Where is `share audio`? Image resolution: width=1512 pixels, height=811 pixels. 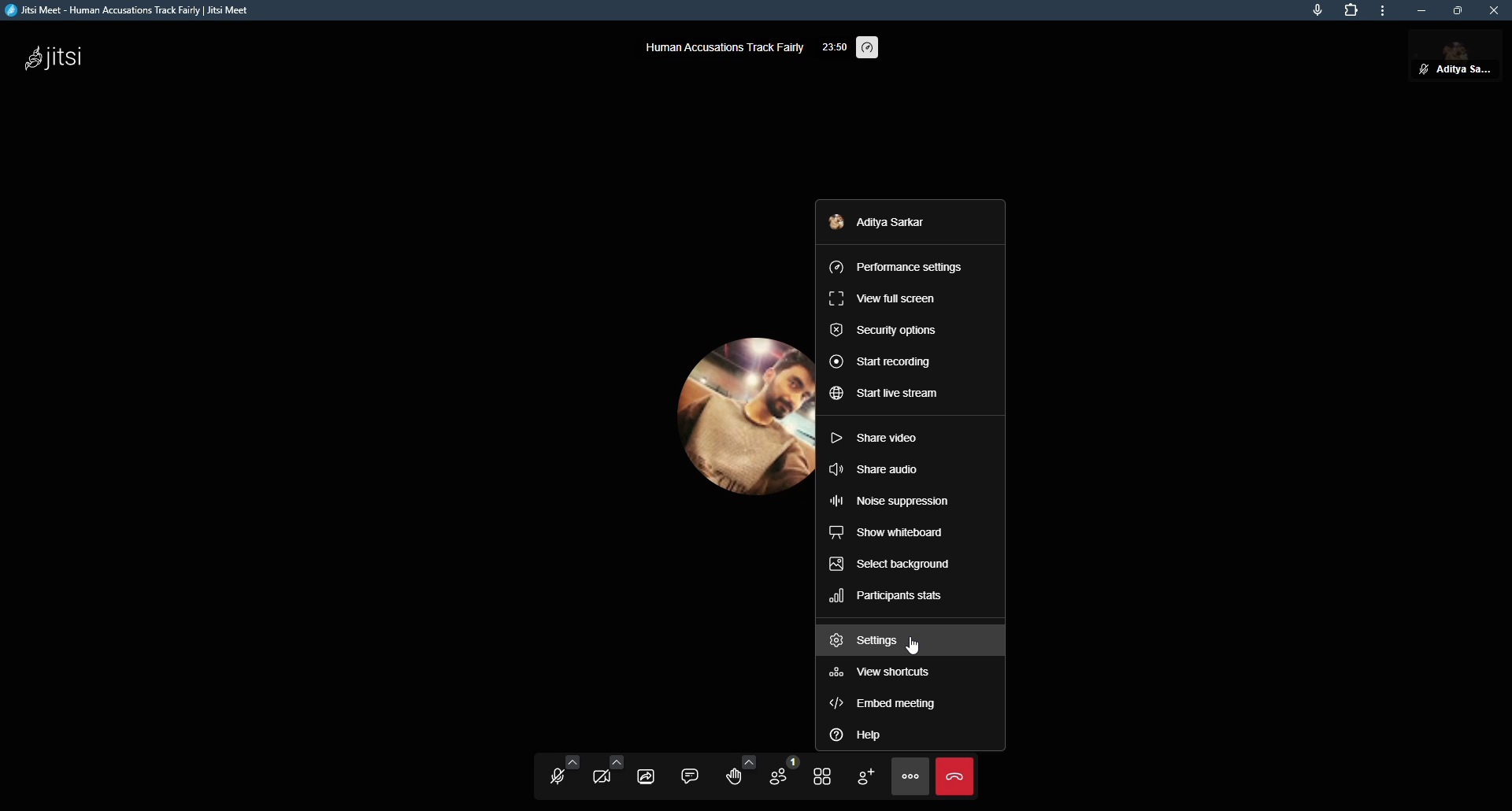 share audio is located at coordinates (873, 468).